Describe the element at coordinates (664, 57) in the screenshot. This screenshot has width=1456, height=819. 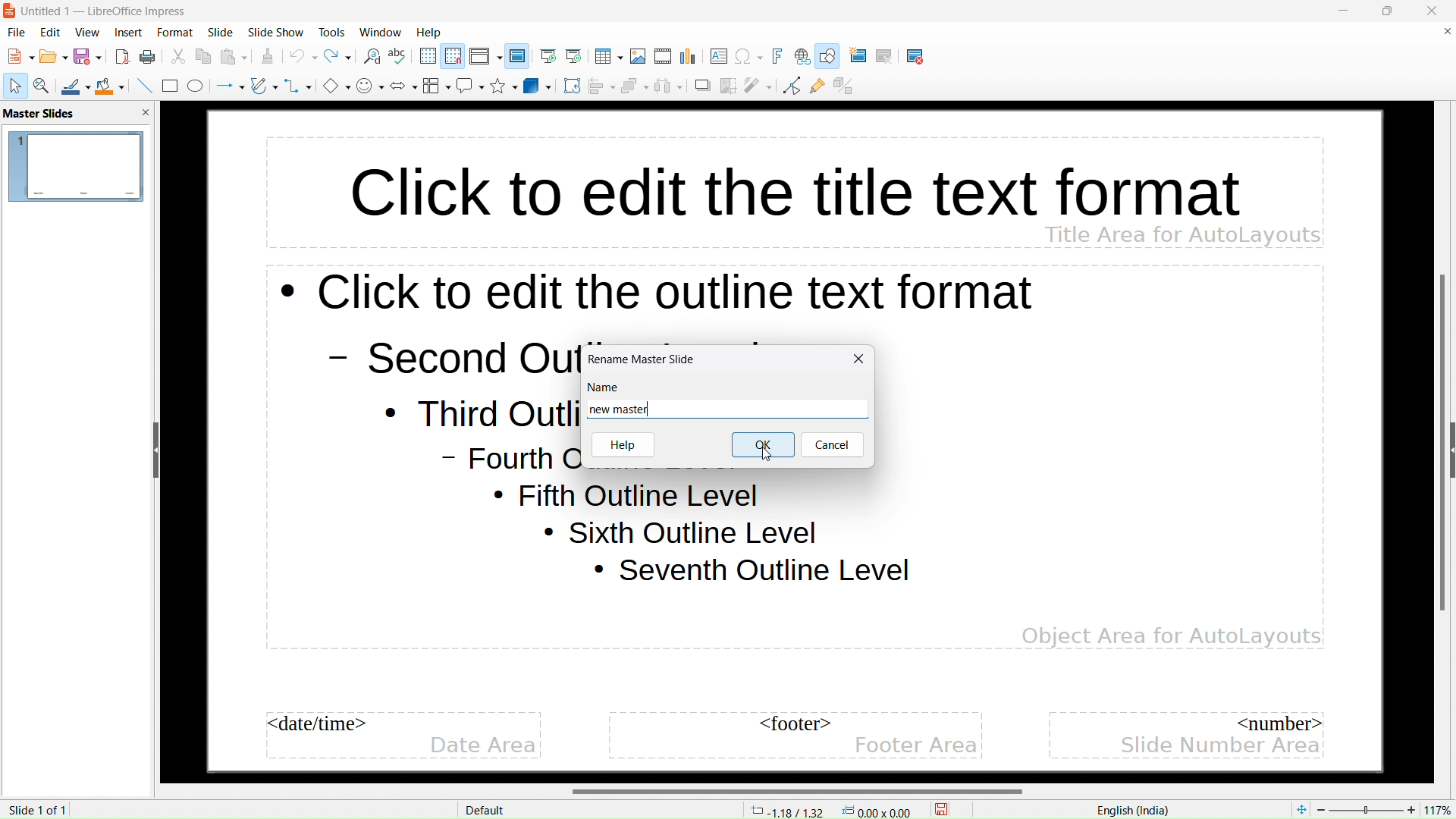
I see `insert audio or video` at that location.